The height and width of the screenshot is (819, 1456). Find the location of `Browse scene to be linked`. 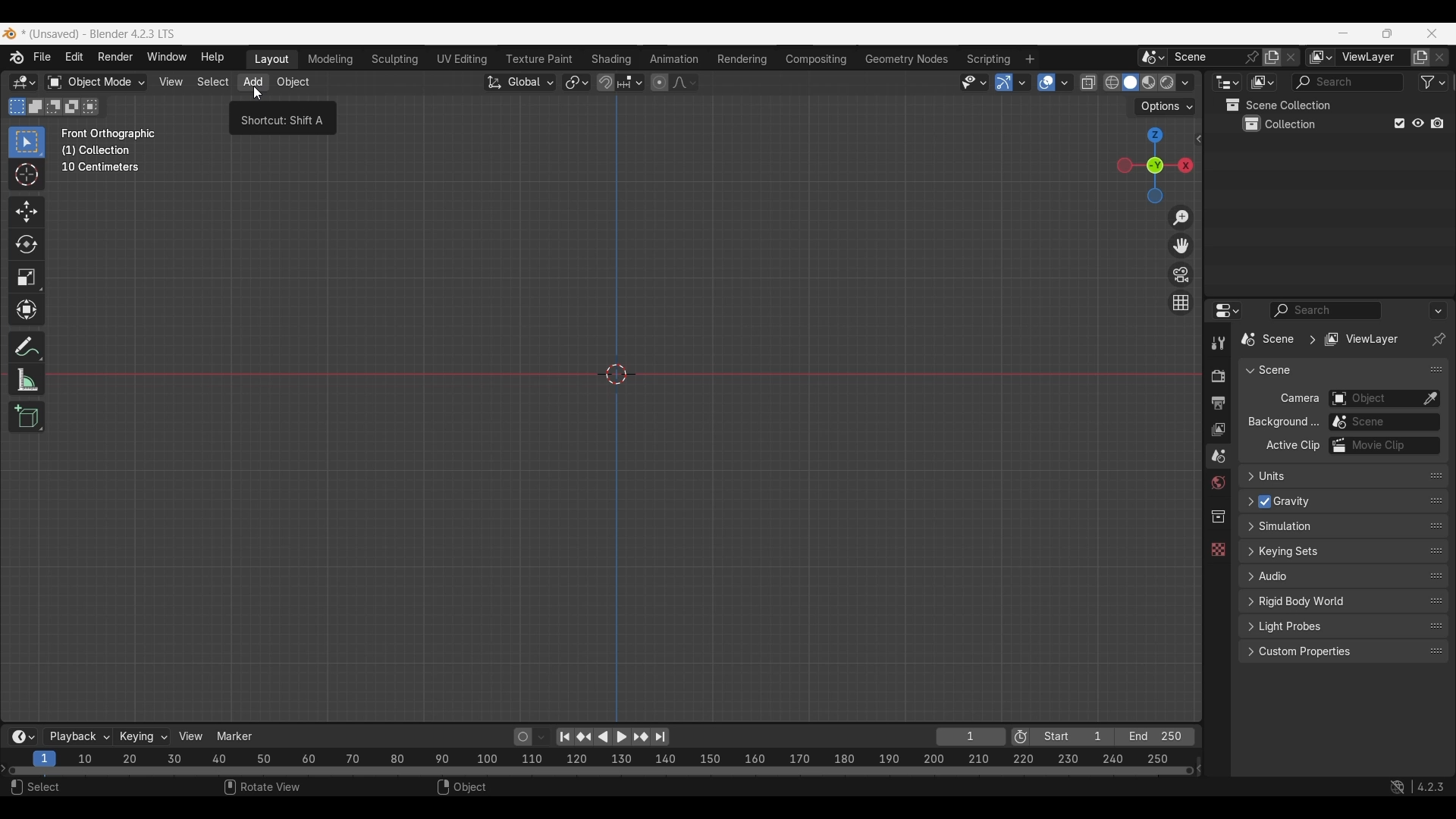

Browse scene to be linked is located at coordinates (1153, 58).